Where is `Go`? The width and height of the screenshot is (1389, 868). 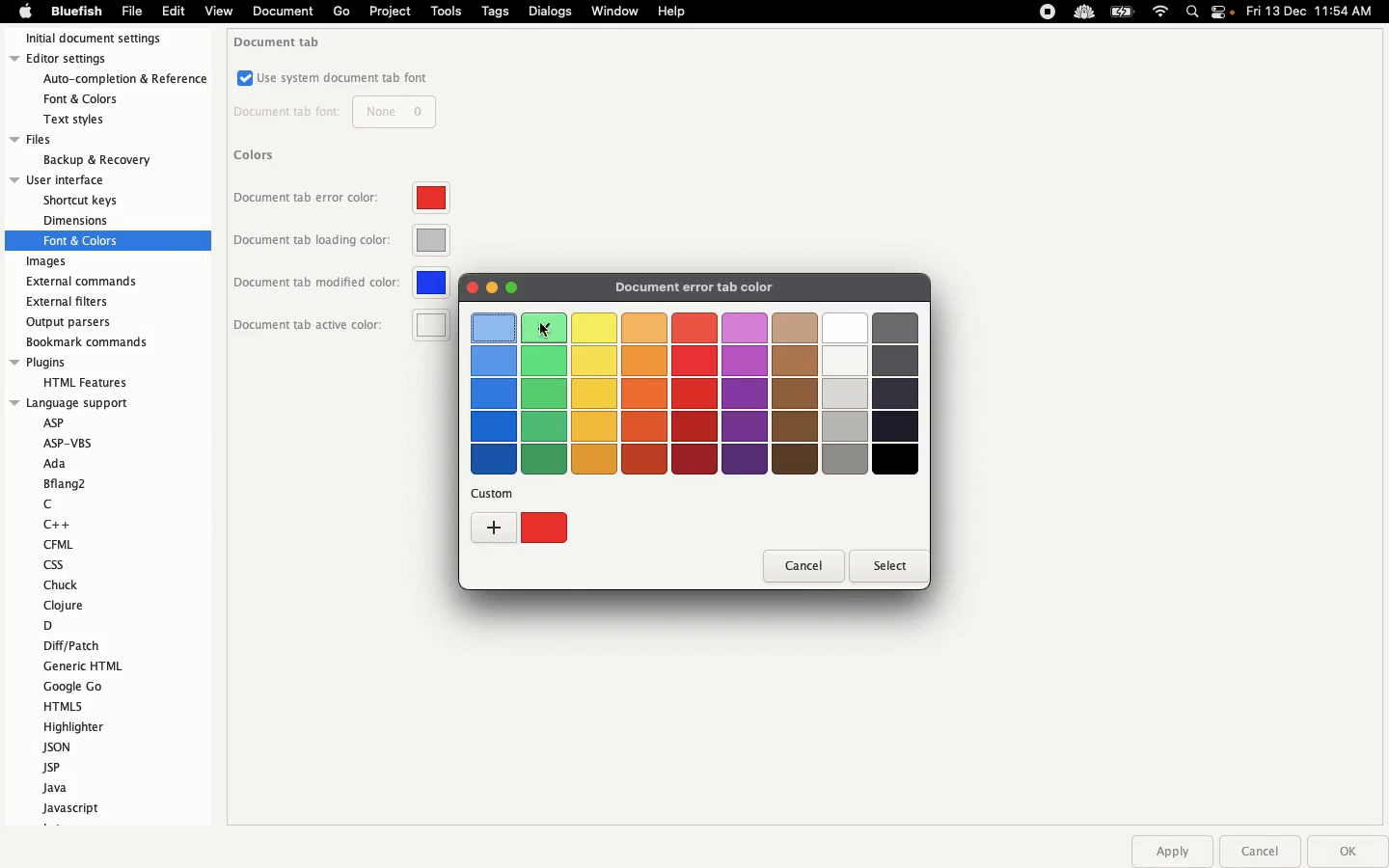 Go is located at coordinates (341, 12).